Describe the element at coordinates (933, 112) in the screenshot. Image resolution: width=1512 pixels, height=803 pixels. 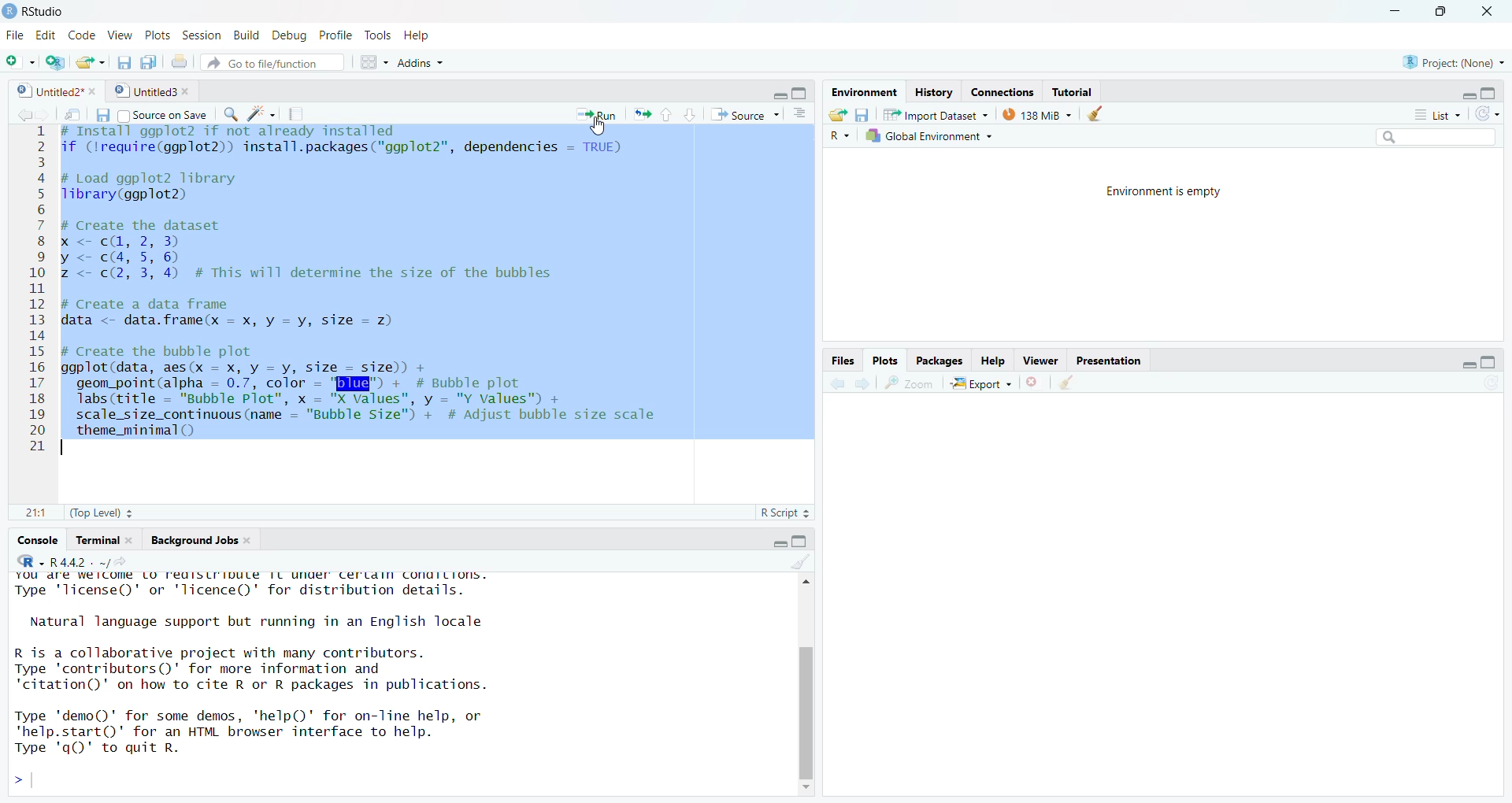
I see `import Dataset ` at that location.